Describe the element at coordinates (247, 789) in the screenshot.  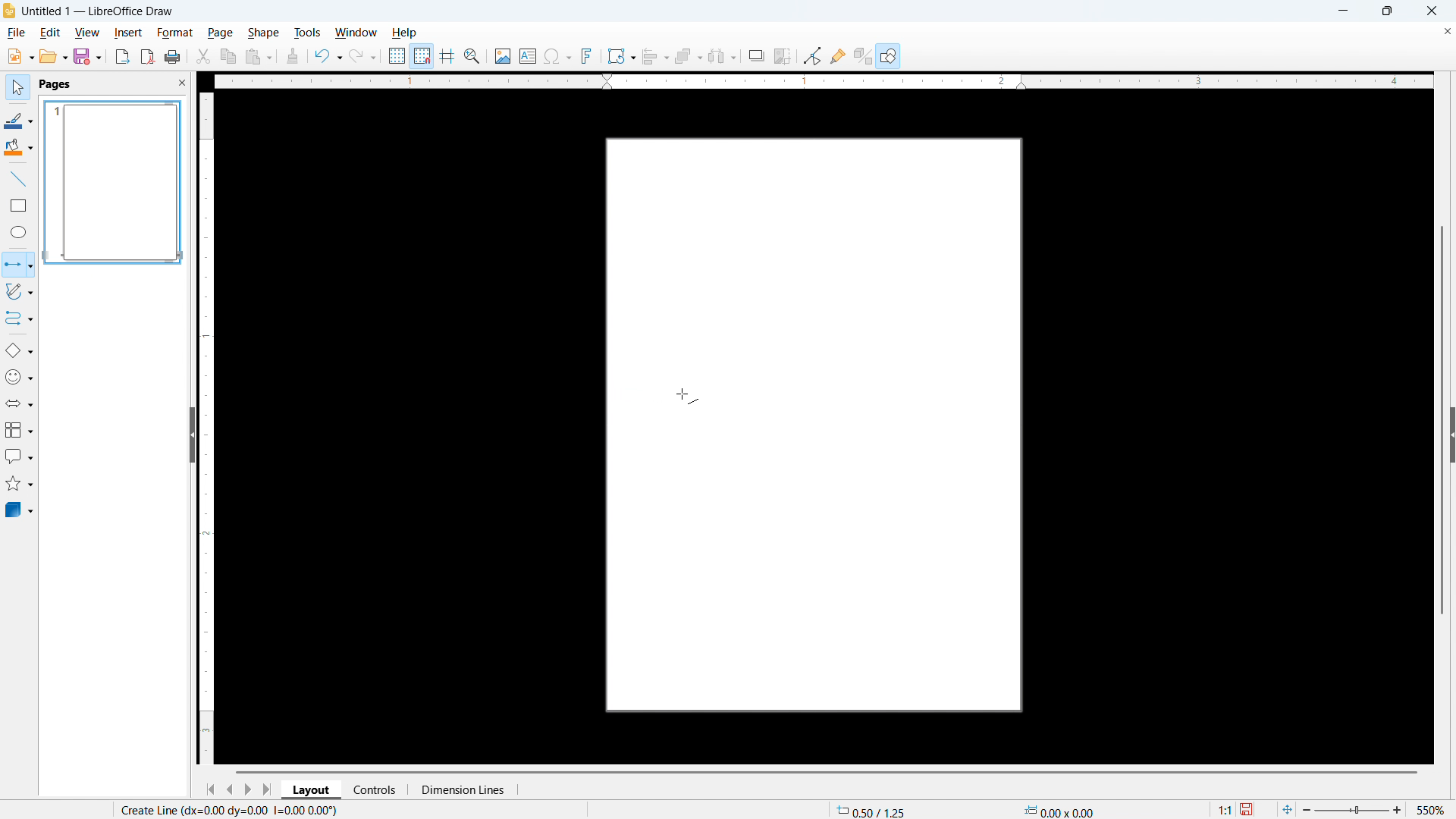
I see `Next page ` at that location.